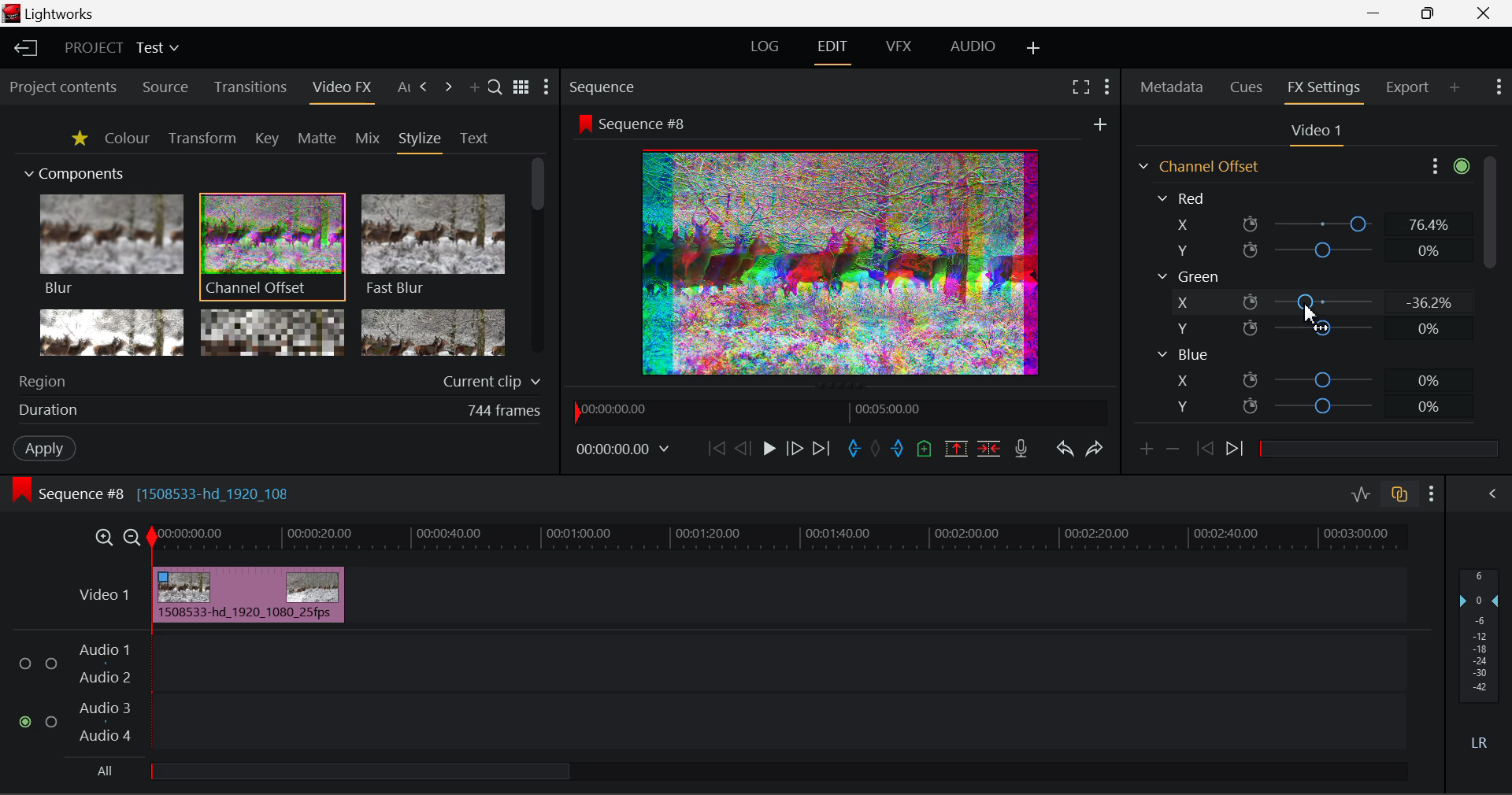 This screenshot has width=1512, height=795. What do you see at coordinates (419, 142) in the screenshot?
I see `Stylize Tab Open` at bounding box center [419, 142].